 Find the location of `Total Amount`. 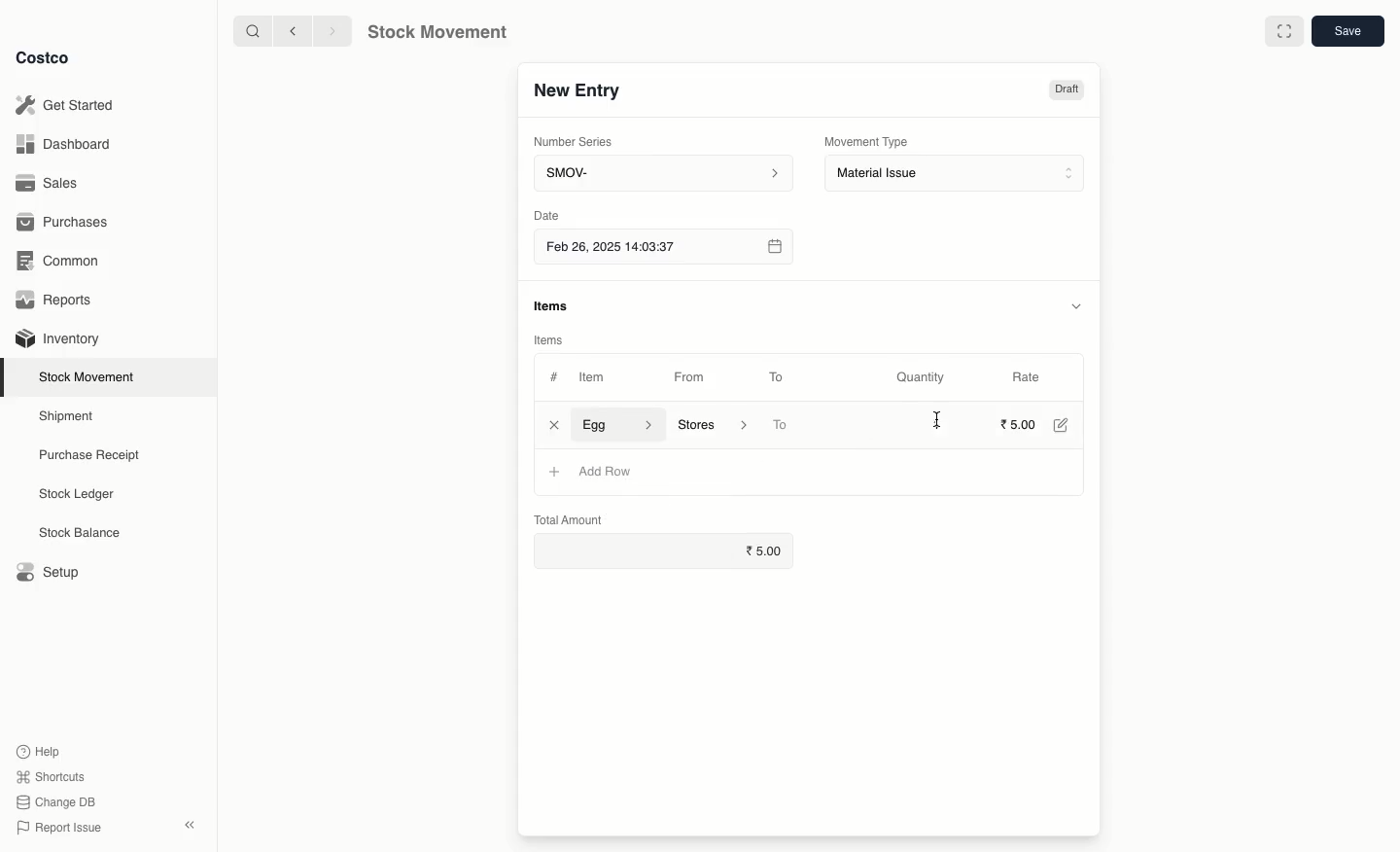

Total Amount is located at coordinates (569, 518).